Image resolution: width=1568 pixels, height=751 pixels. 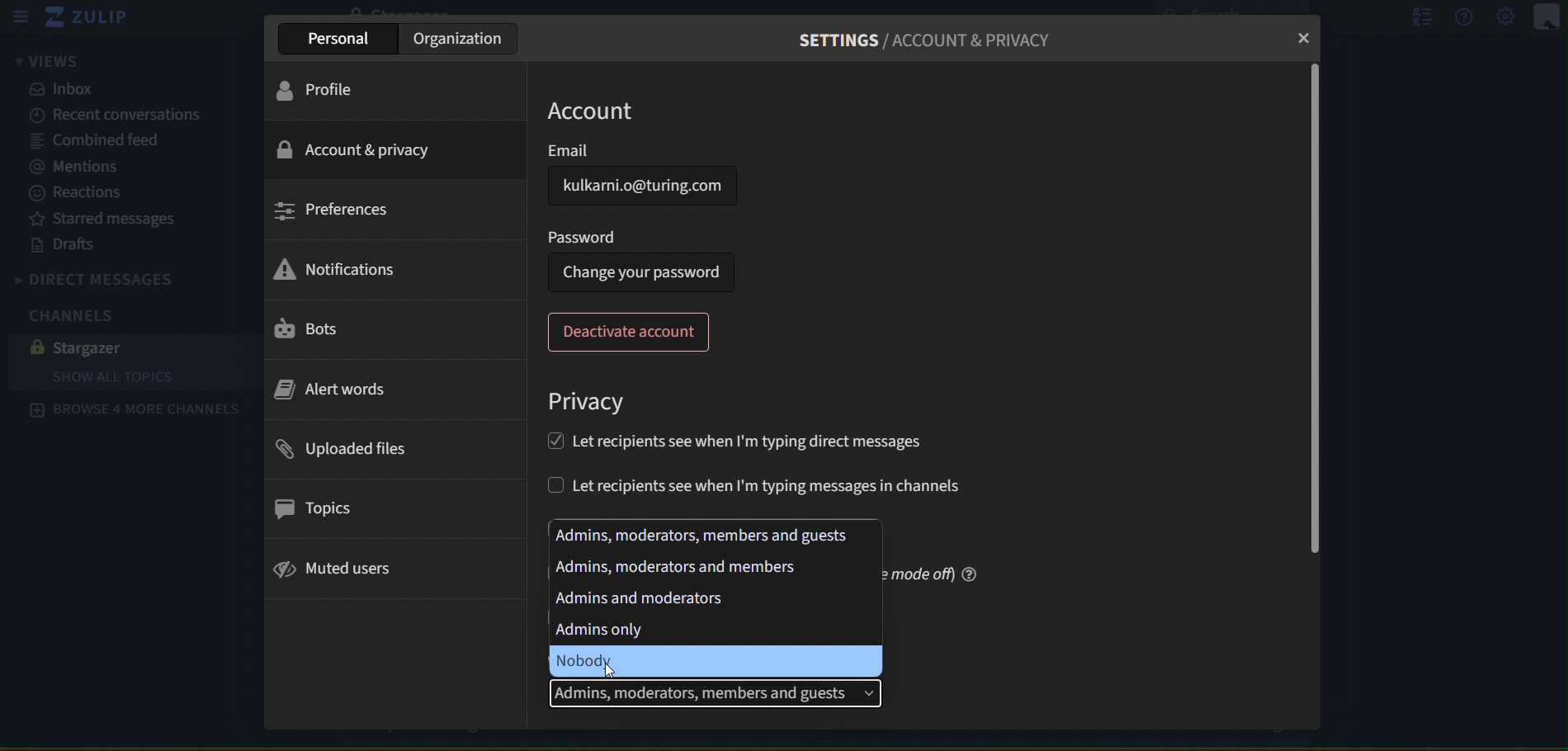 I want to click on bots, so click(x=309, y=330).